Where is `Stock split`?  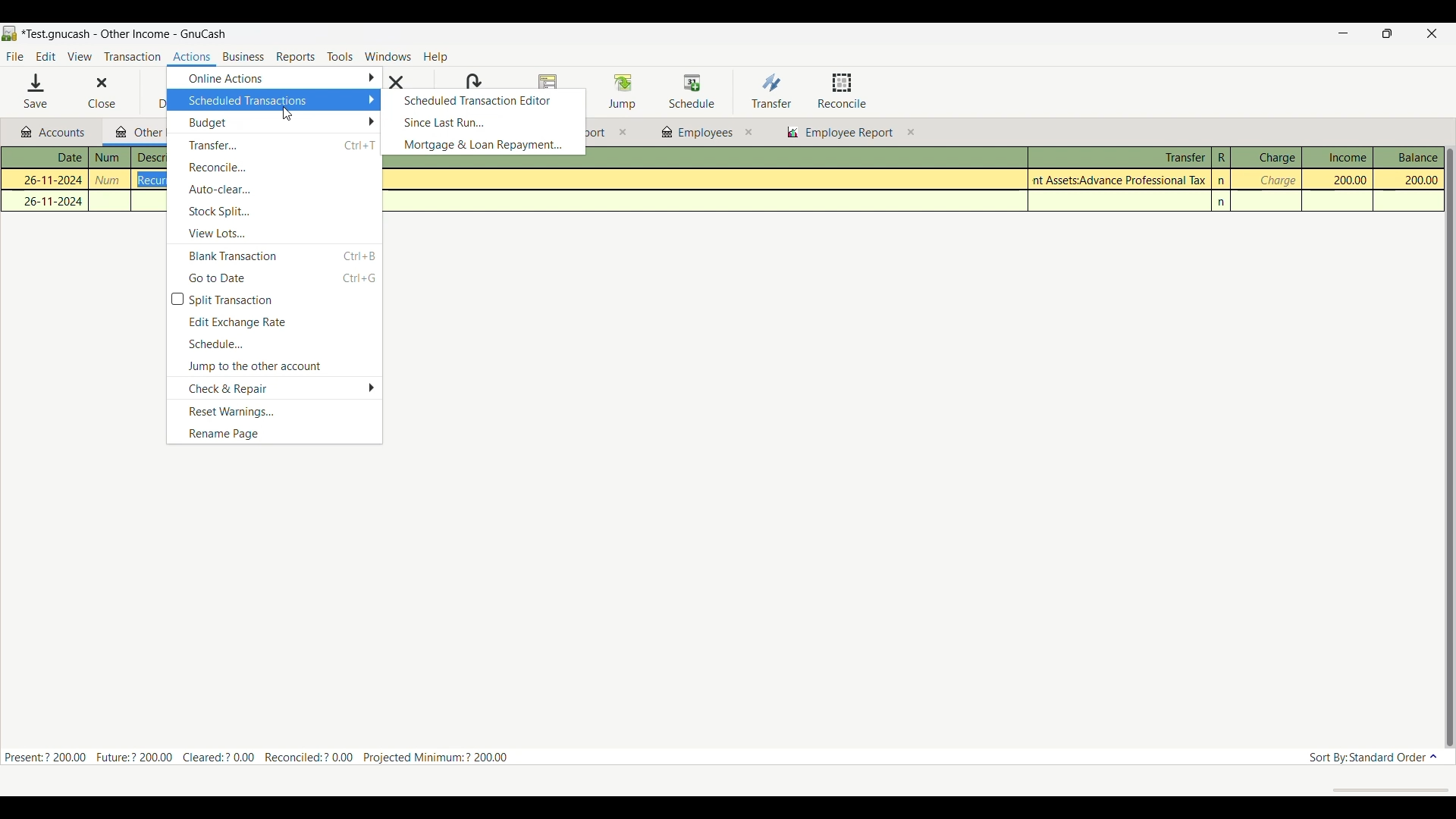 Stock split is located at coordinates (275, 211).